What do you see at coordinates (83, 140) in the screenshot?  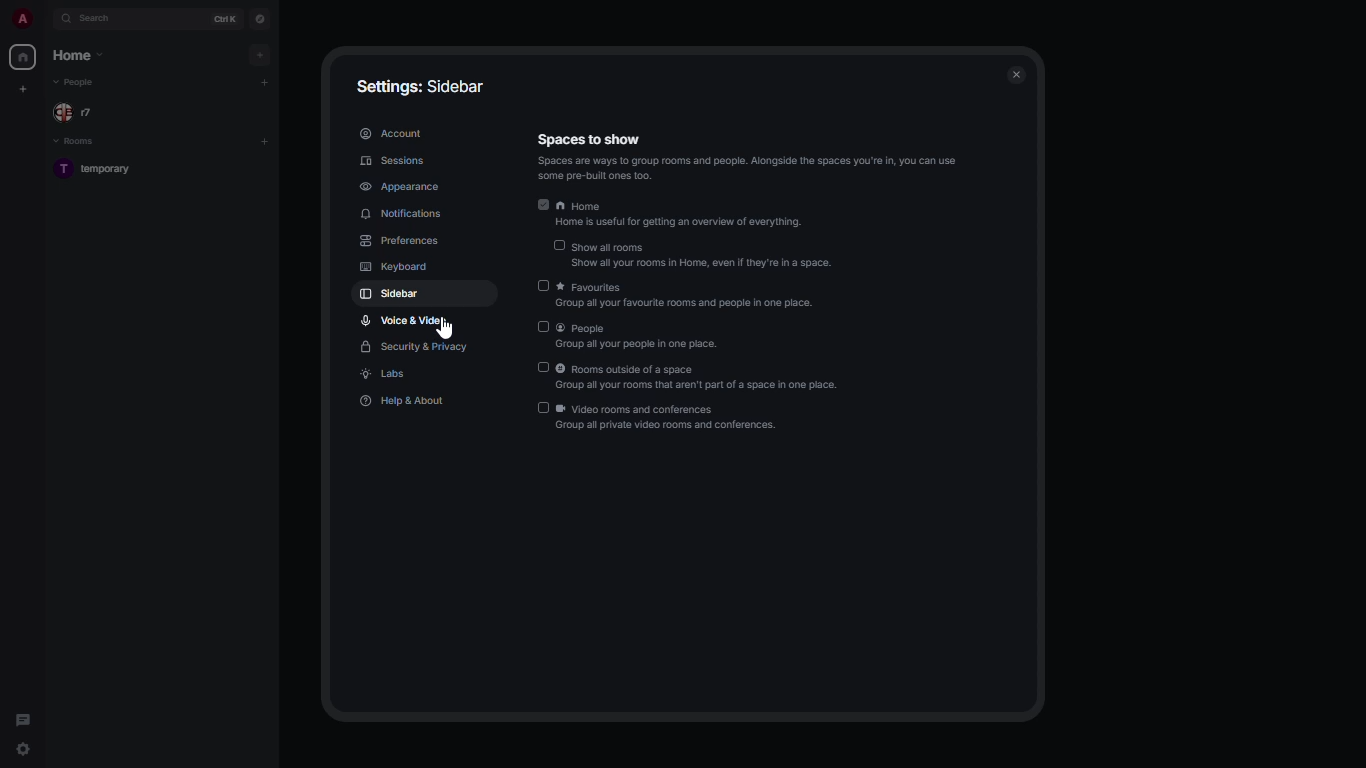 I see `rooms` at bounding box center [83, 140].